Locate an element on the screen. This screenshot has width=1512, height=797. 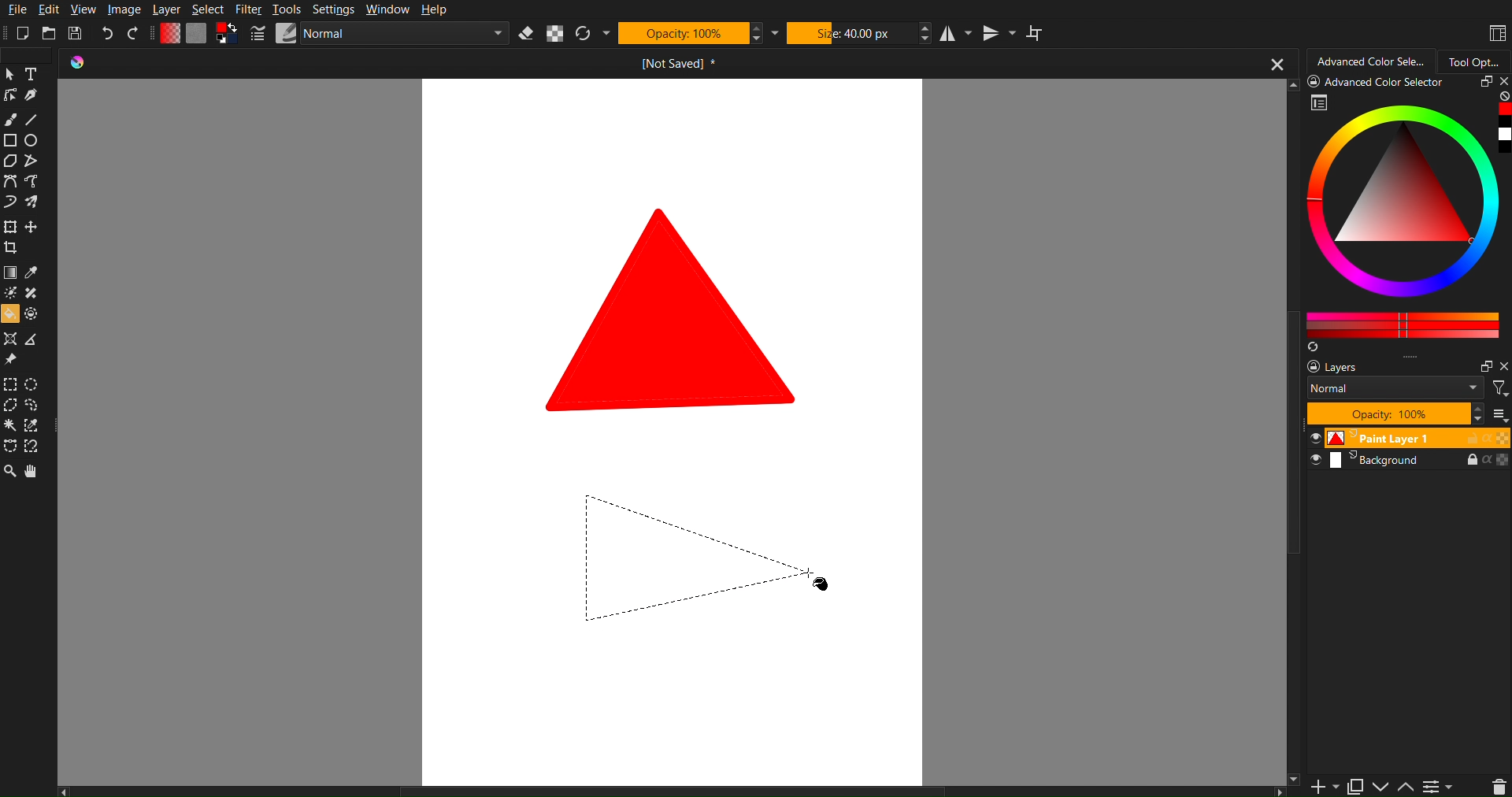
Pan is located at coordinates (39, 473).